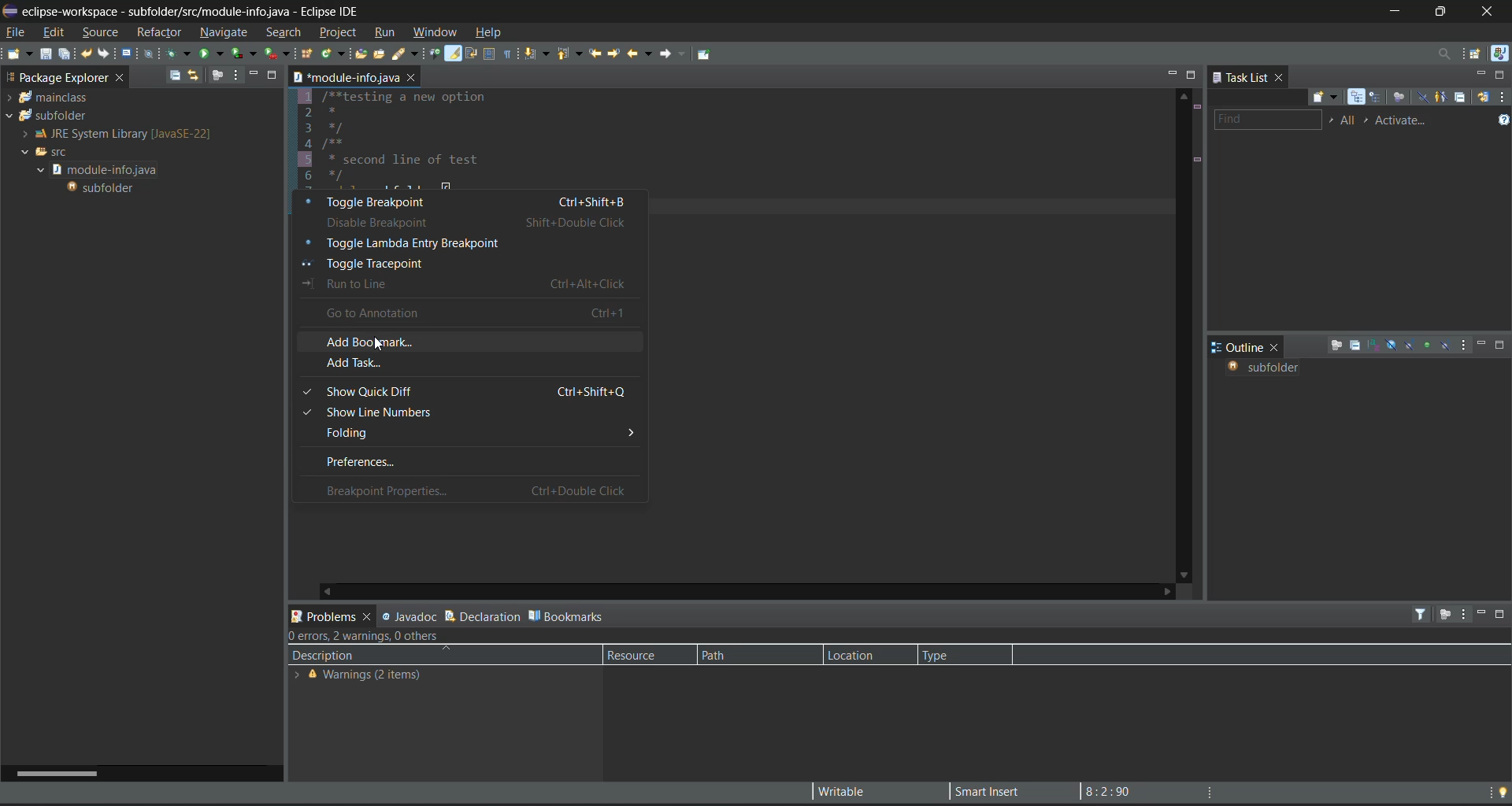 The image size is (1512, 806). What do you see at coordinates (223, 30) in the screenshot?
I see `navigate` at bounding box center [223, 30].